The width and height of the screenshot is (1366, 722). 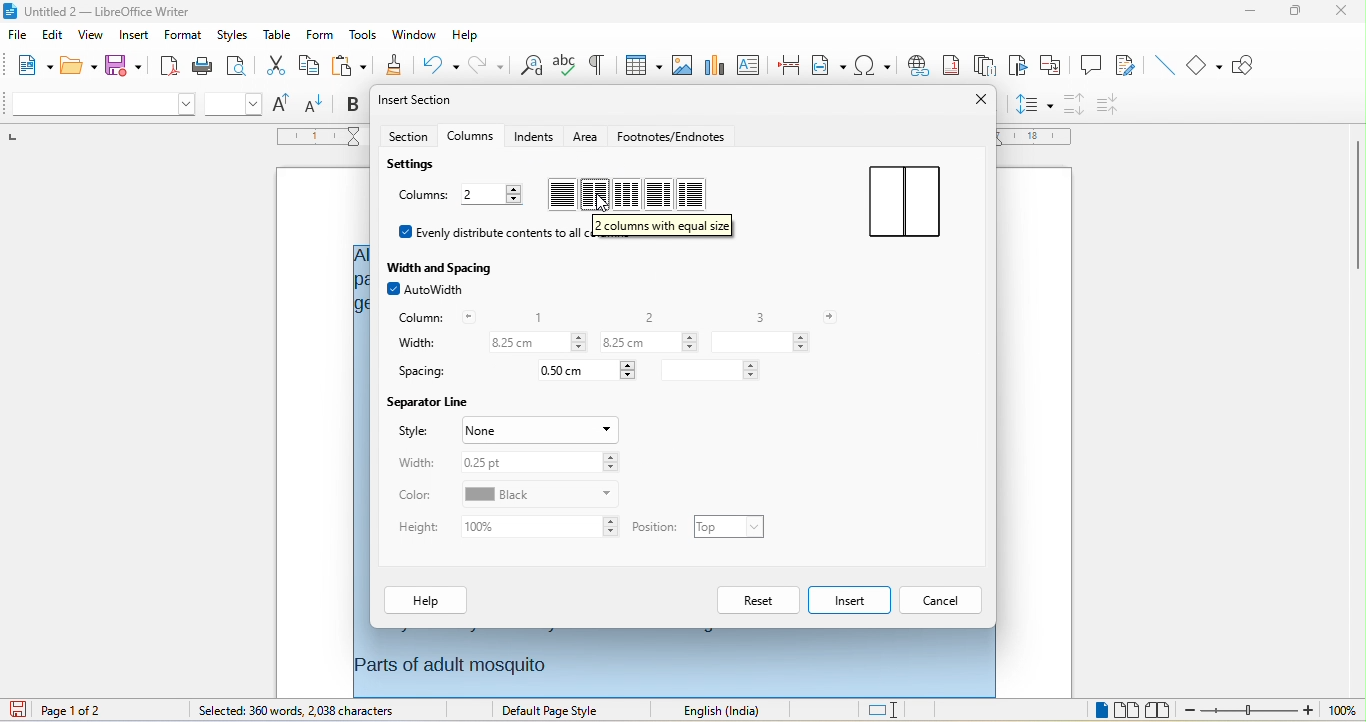 What do you see at coordinates (91, 35) in the screenshot?
I see `view` at bounding box center [91, 35].